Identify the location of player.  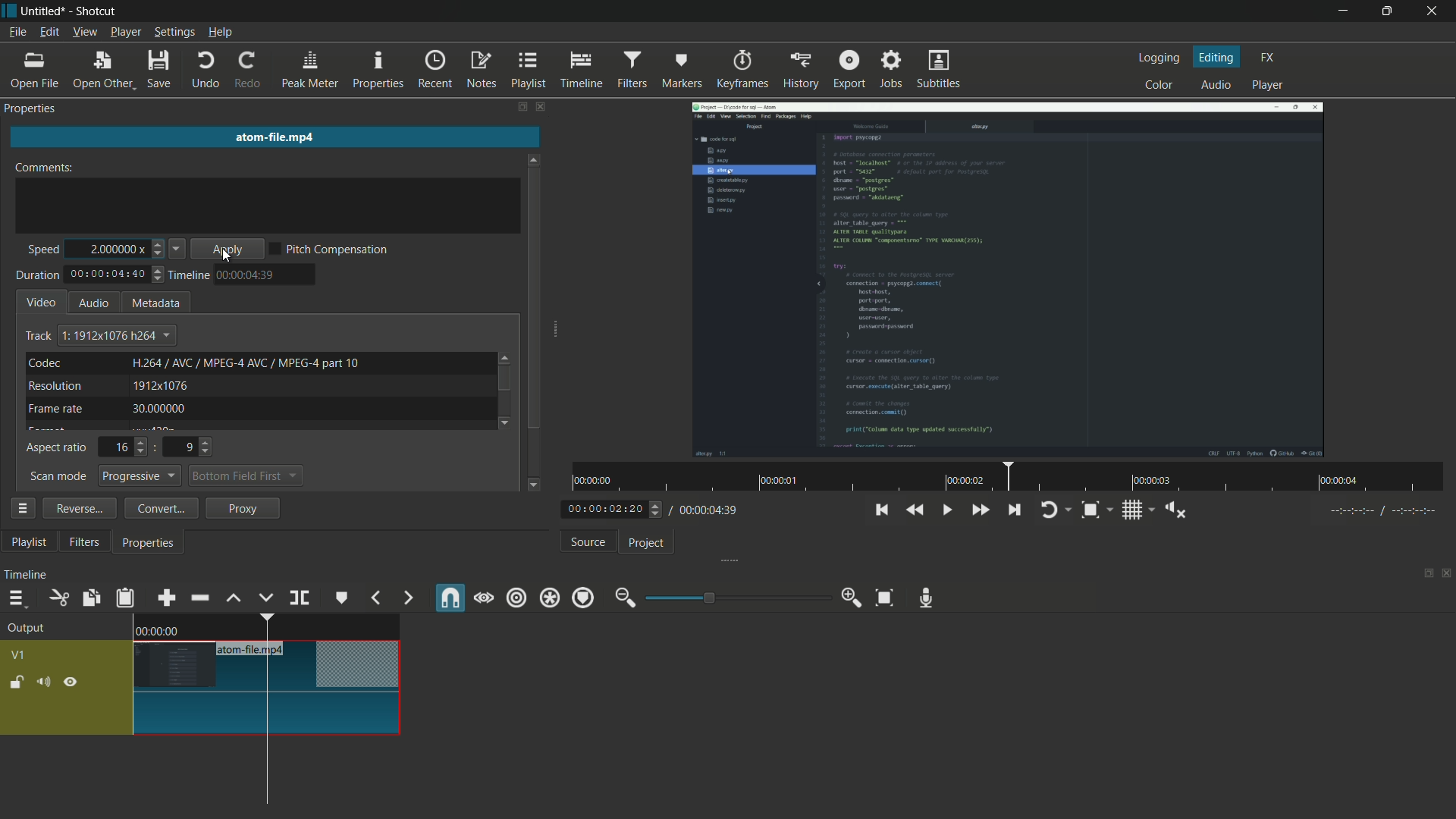
(1272, 86).